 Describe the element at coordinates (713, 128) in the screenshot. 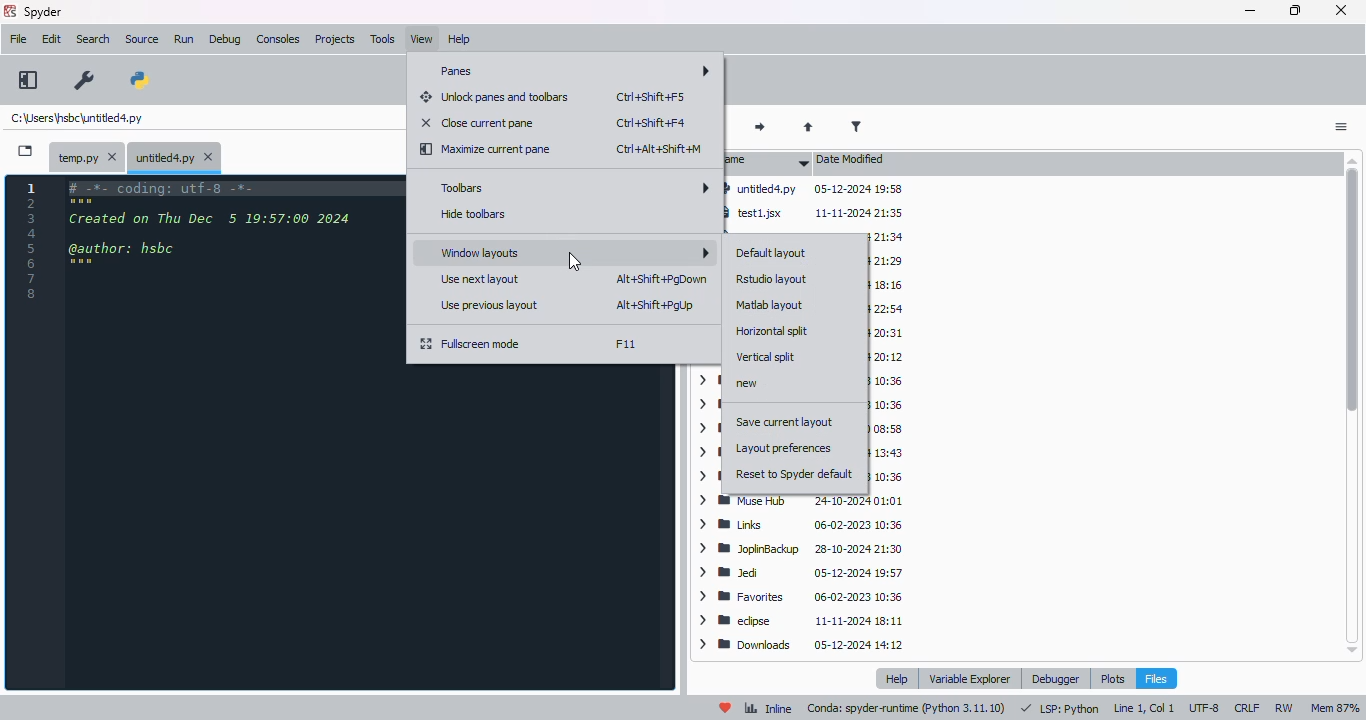

I see `back` at that location.